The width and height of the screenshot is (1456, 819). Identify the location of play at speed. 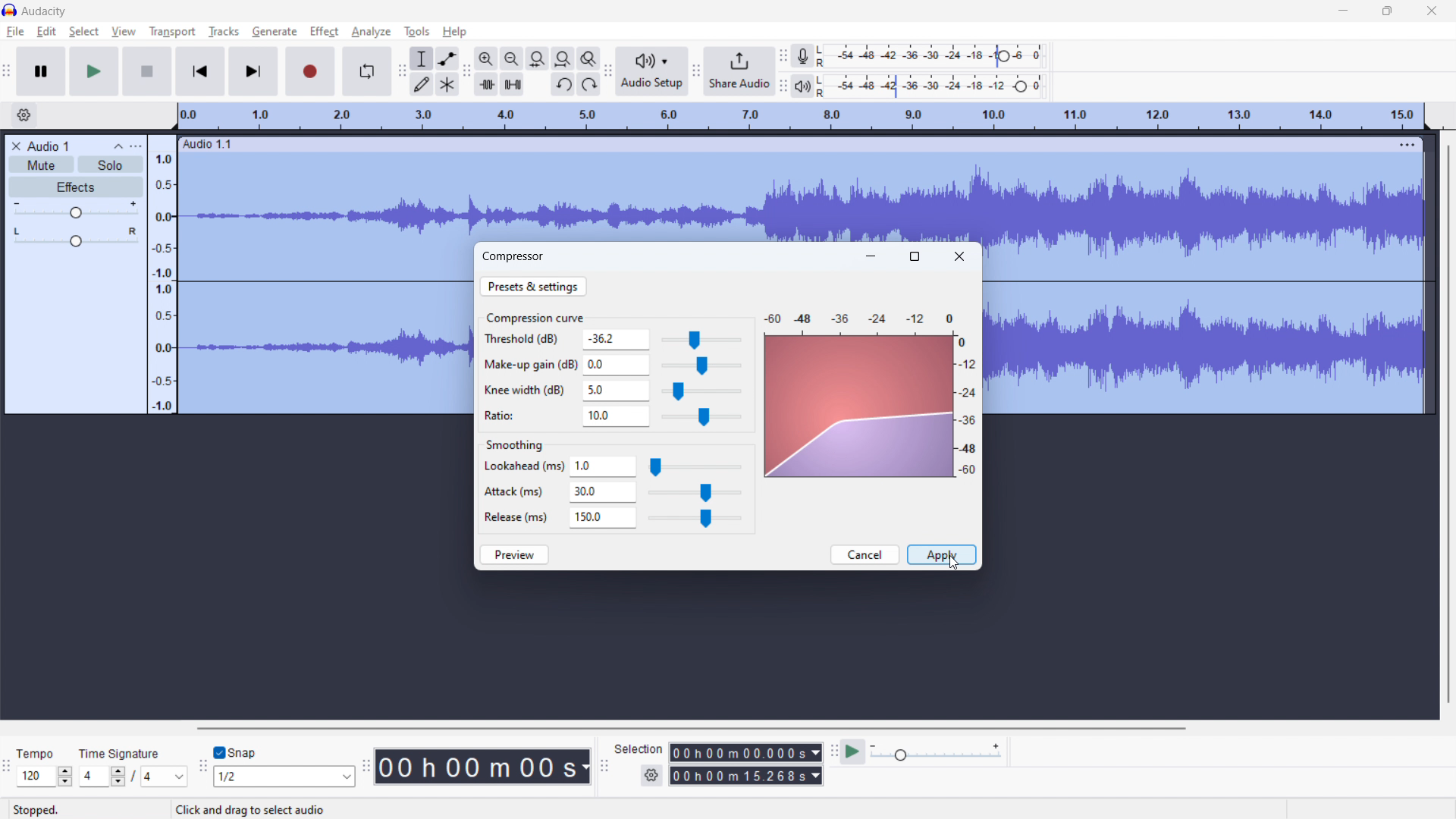
(853, 752).